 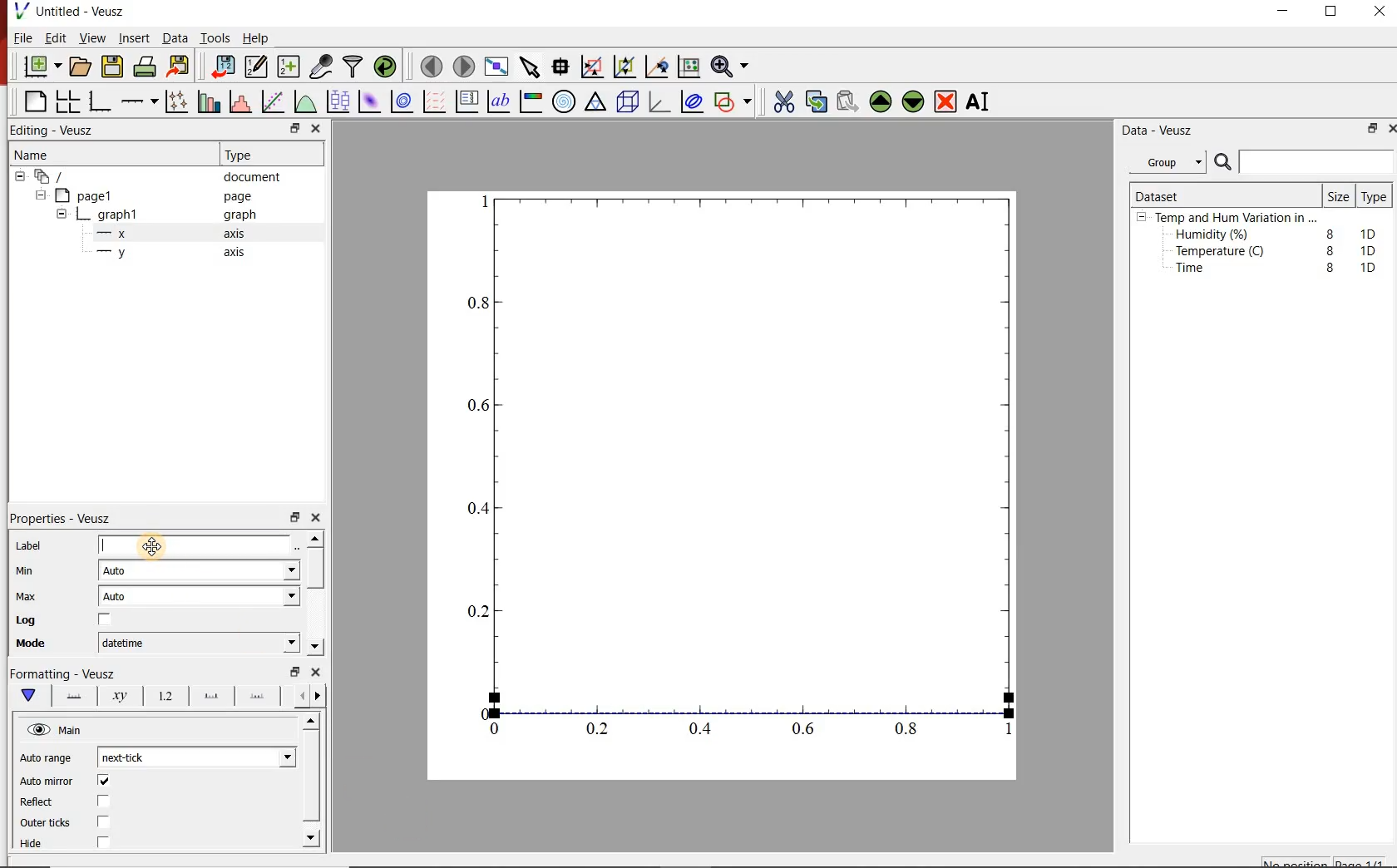 What do you see at coordinates (67, 675) in the screenshot?
I see `Formatting - Veusz` at bounding box center [67, 675].